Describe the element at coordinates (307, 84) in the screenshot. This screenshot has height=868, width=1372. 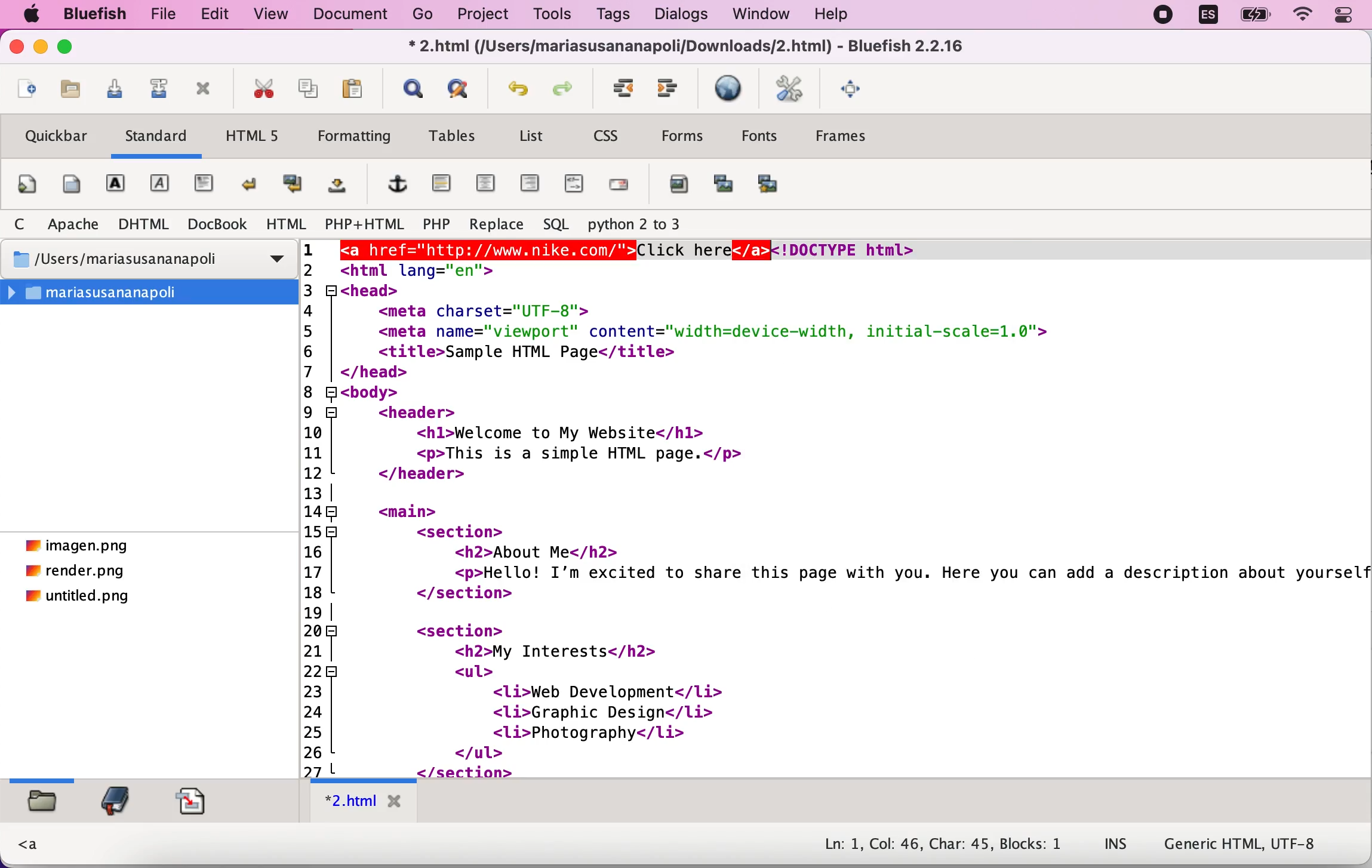
I see `copy` at that location.